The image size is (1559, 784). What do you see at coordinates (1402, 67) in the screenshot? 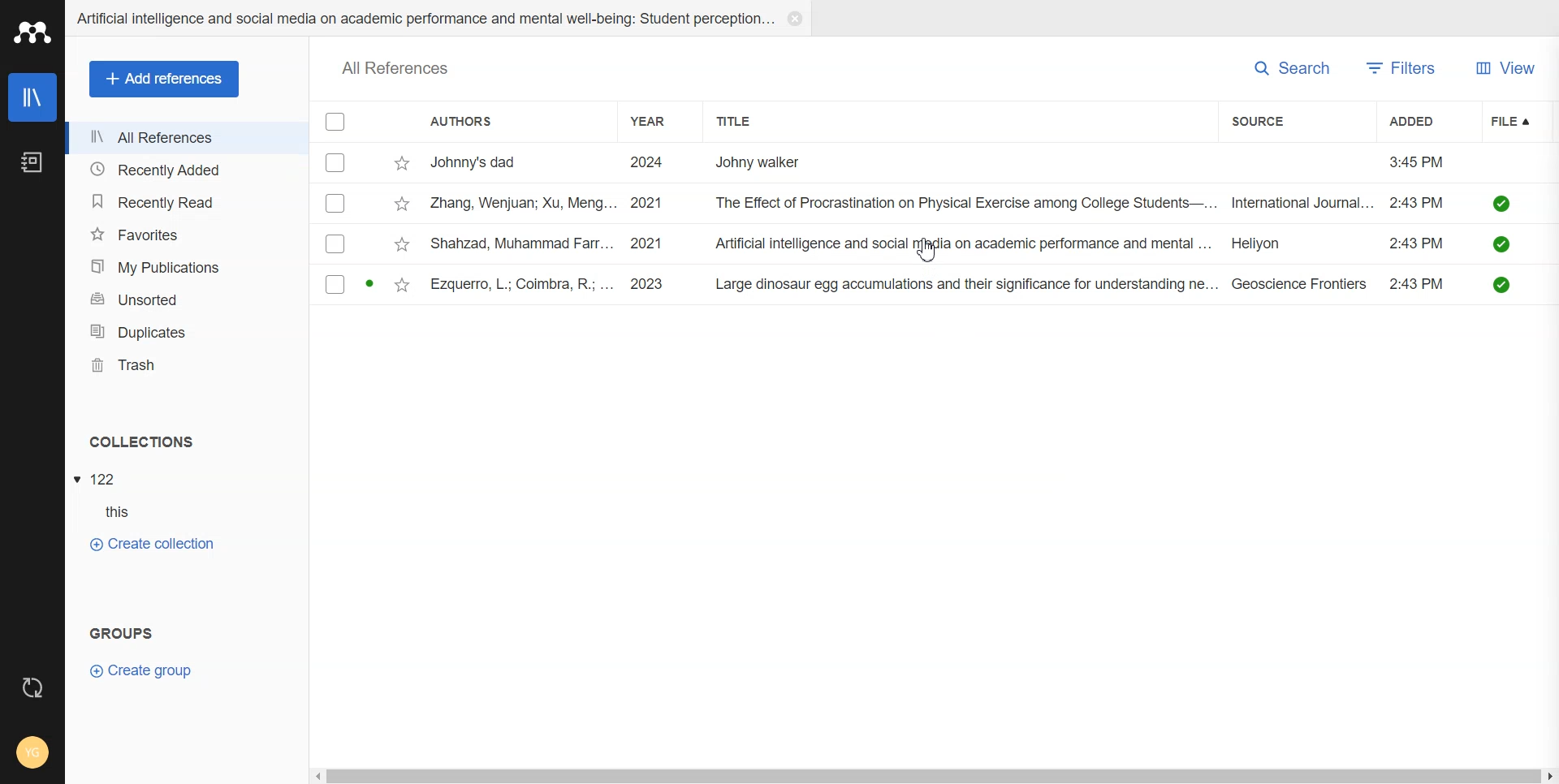
I see `Filters` at bounding box center [1402, 67].